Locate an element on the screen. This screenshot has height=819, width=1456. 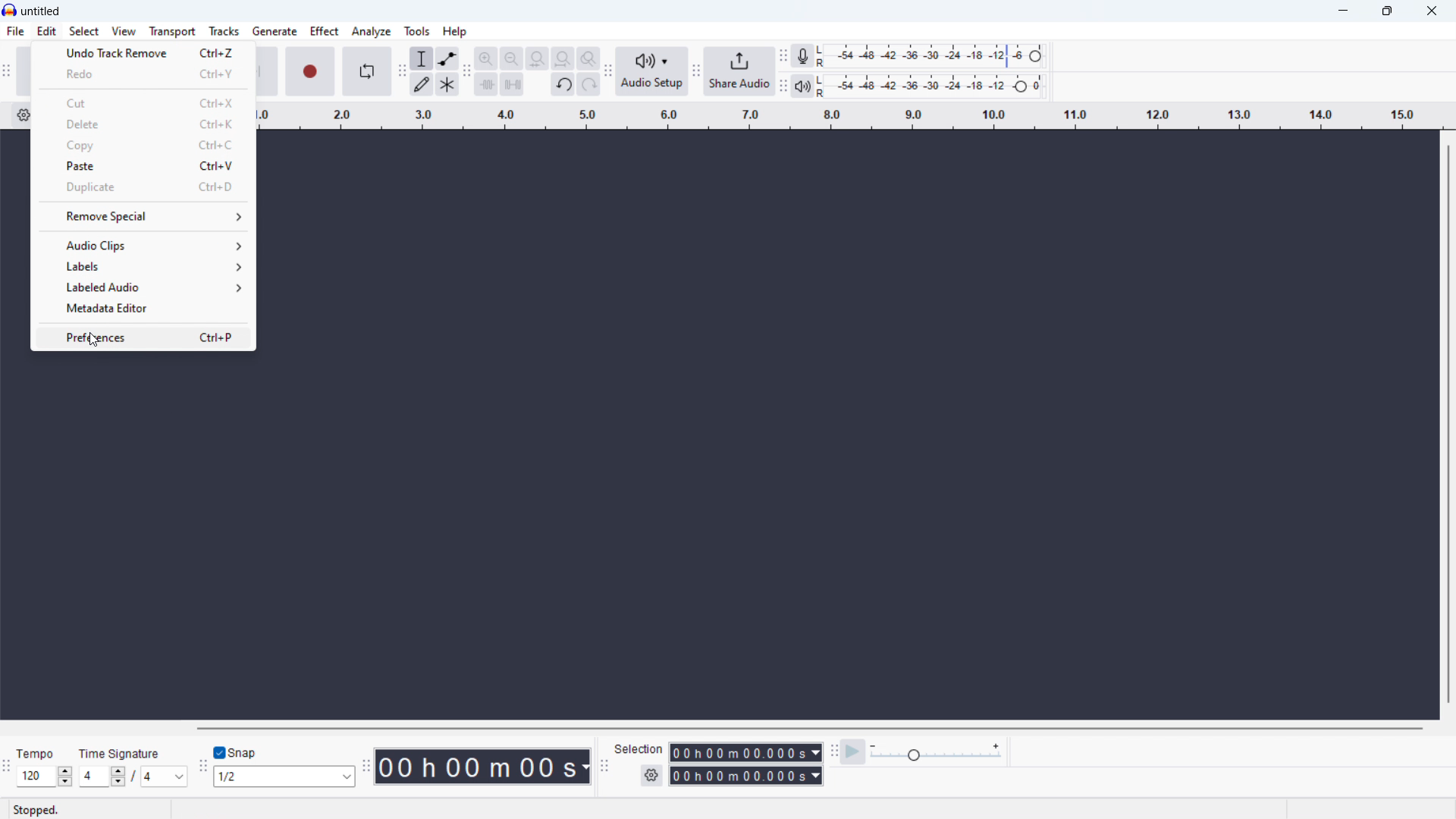
generate is located at coordinates (275, 31).